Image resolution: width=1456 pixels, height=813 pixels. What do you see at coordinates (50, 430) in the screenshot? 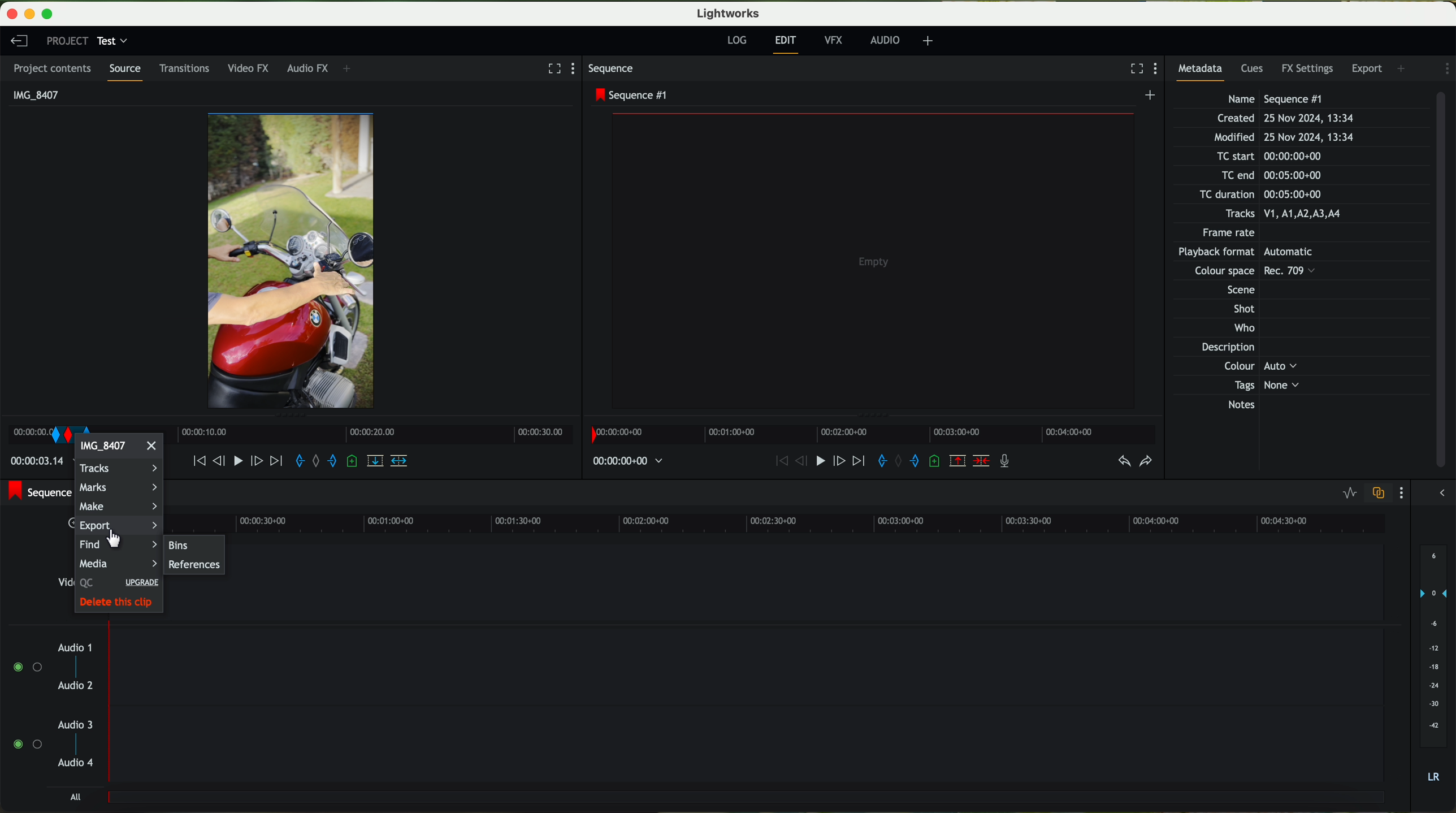
I see `right click` at bounding box center [50, 430].